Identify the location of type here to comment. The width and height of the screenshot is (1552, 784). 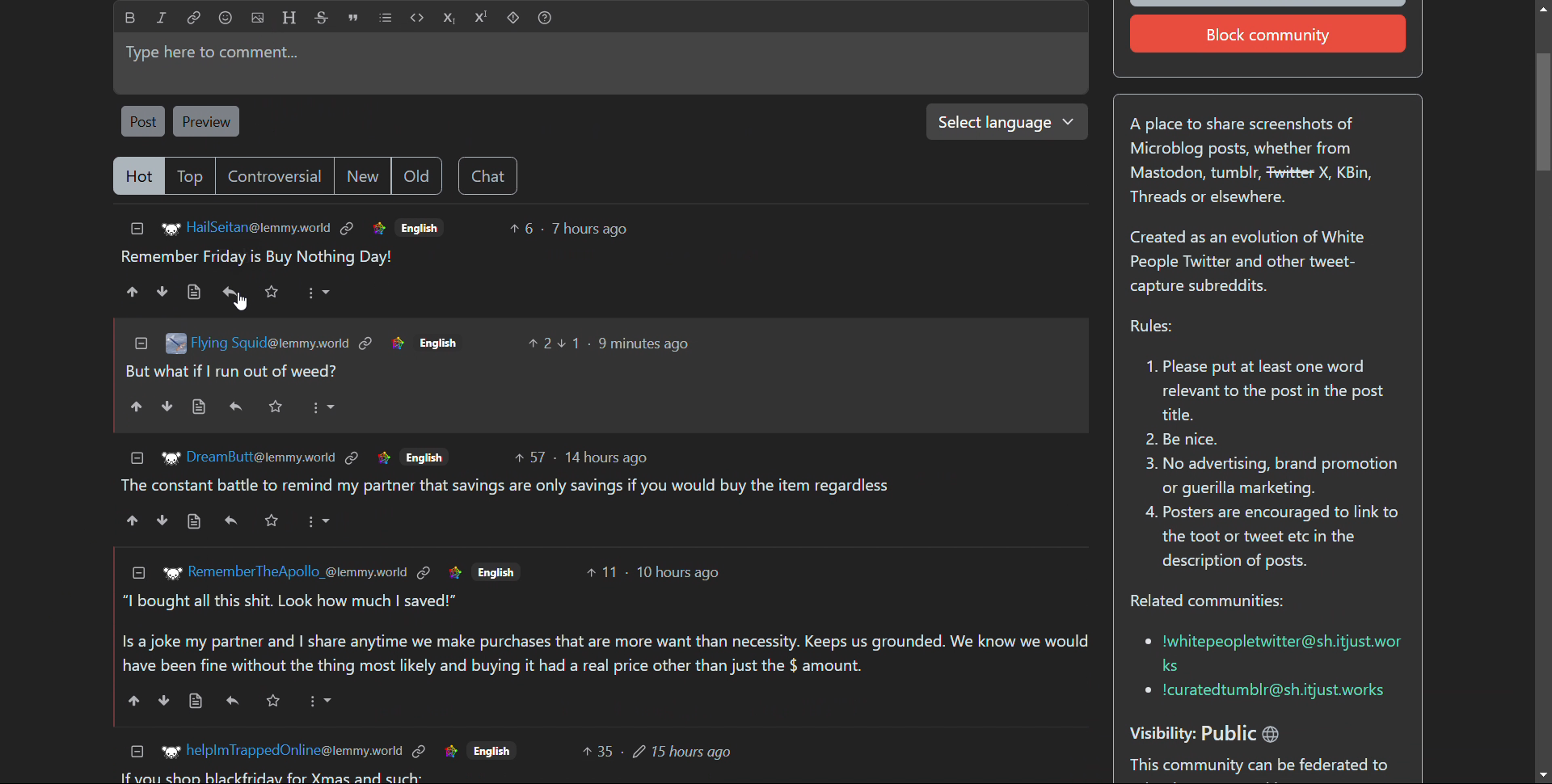
(597, 63).